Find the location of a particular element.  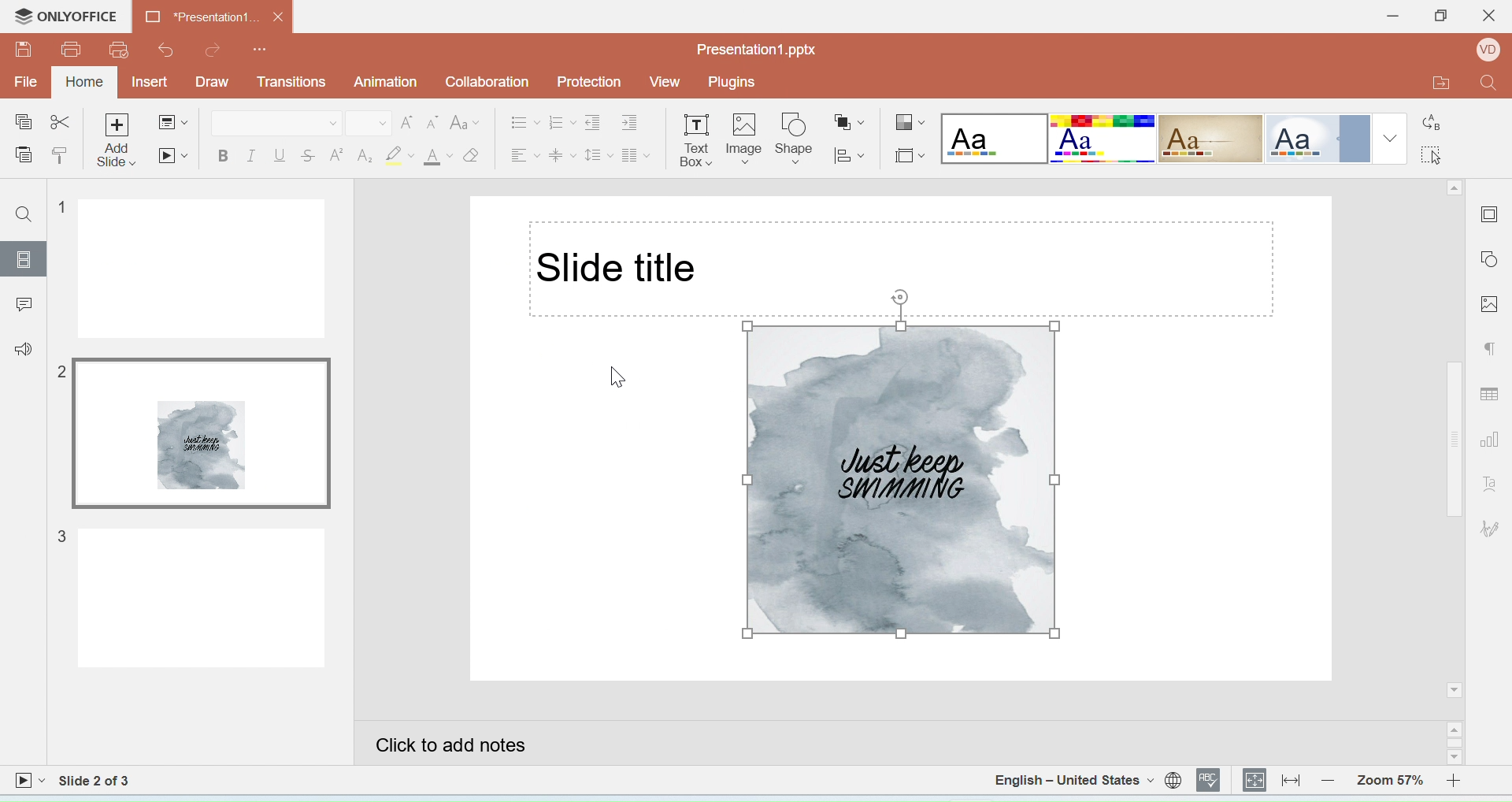

Align shape is located at coordinates (851, 154).